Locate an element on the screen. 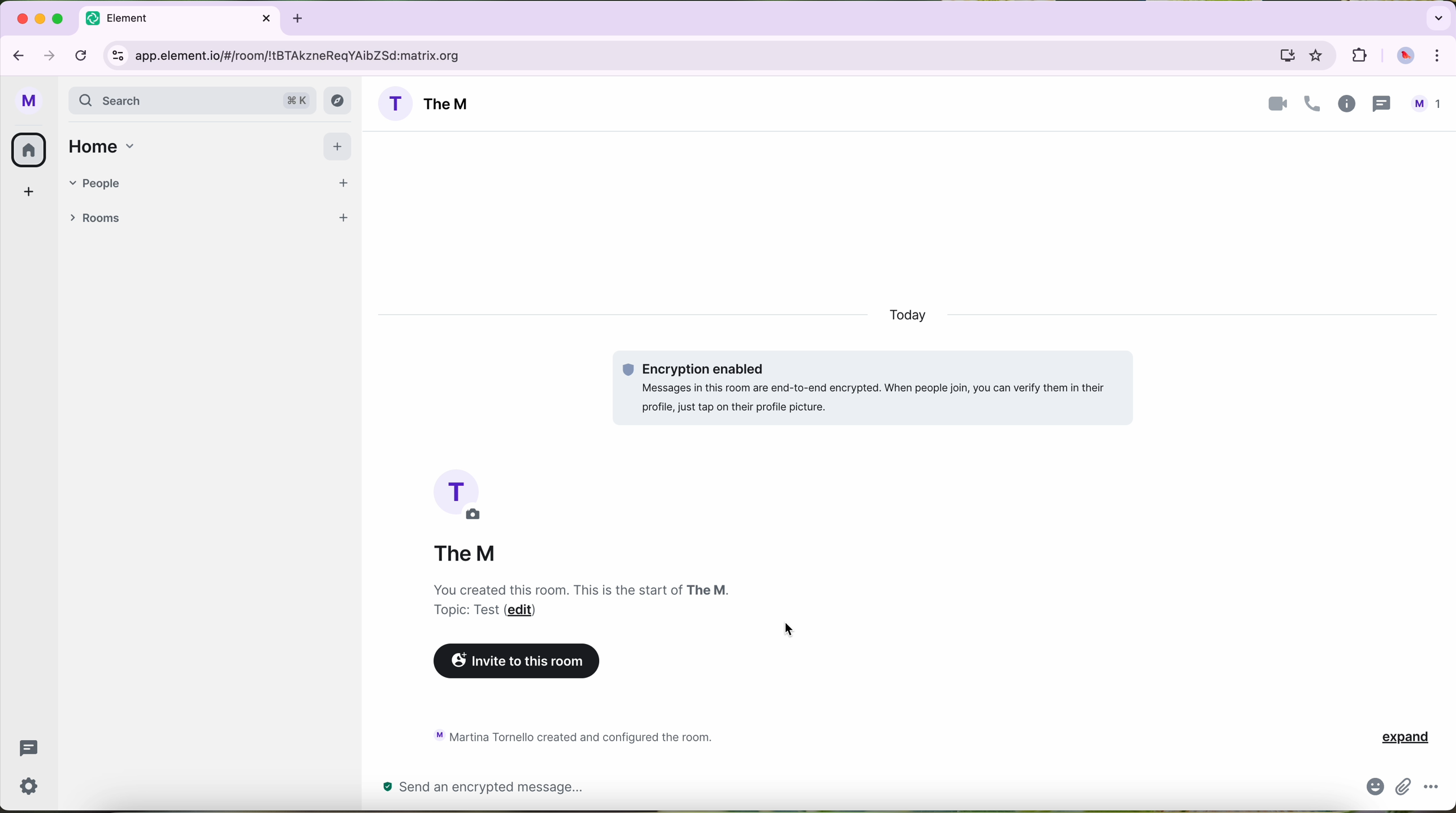 The image size is (1456, 813). navigate back is located at coordinates (15, 53).